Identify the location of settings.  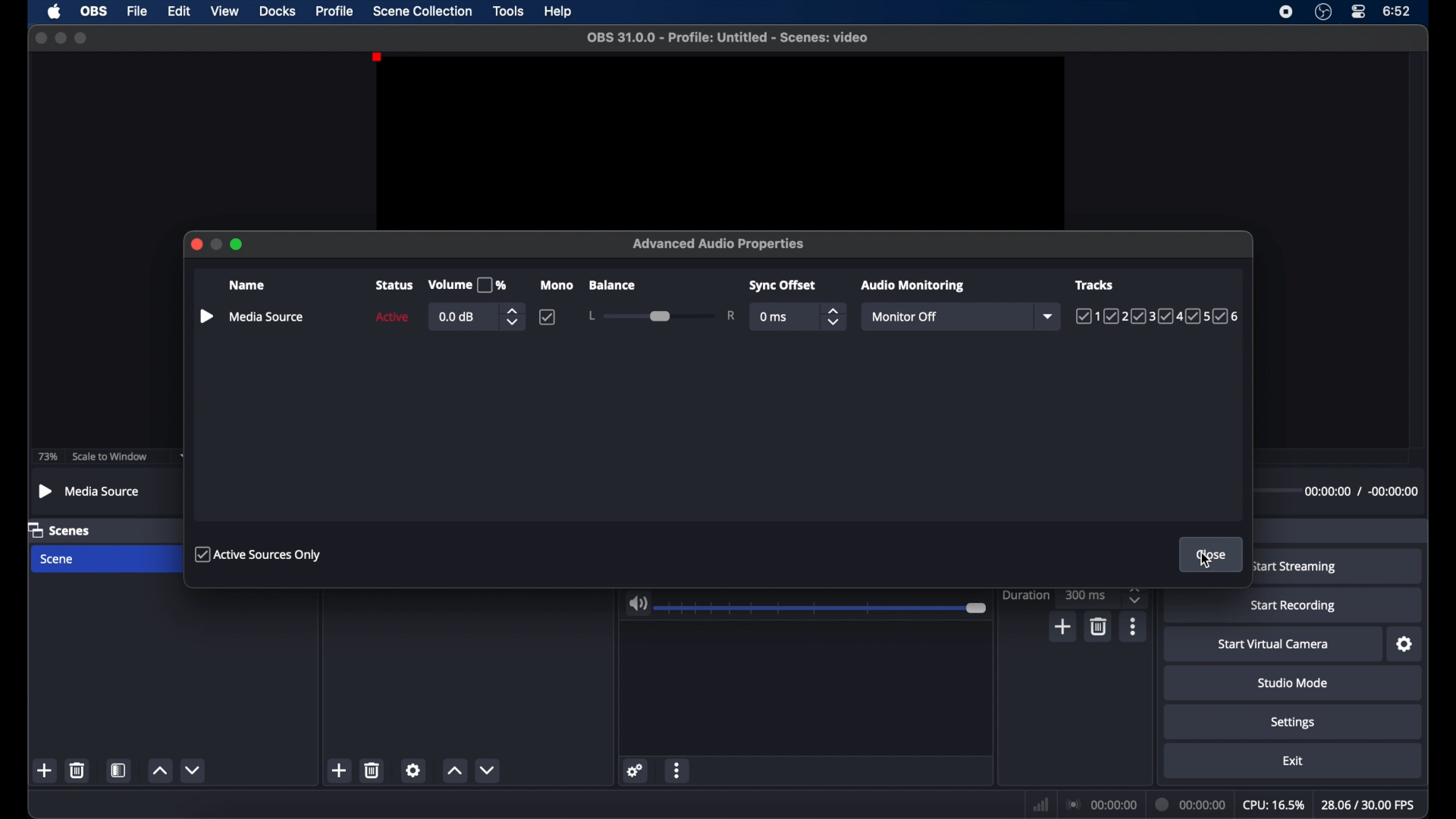
(636, 770).